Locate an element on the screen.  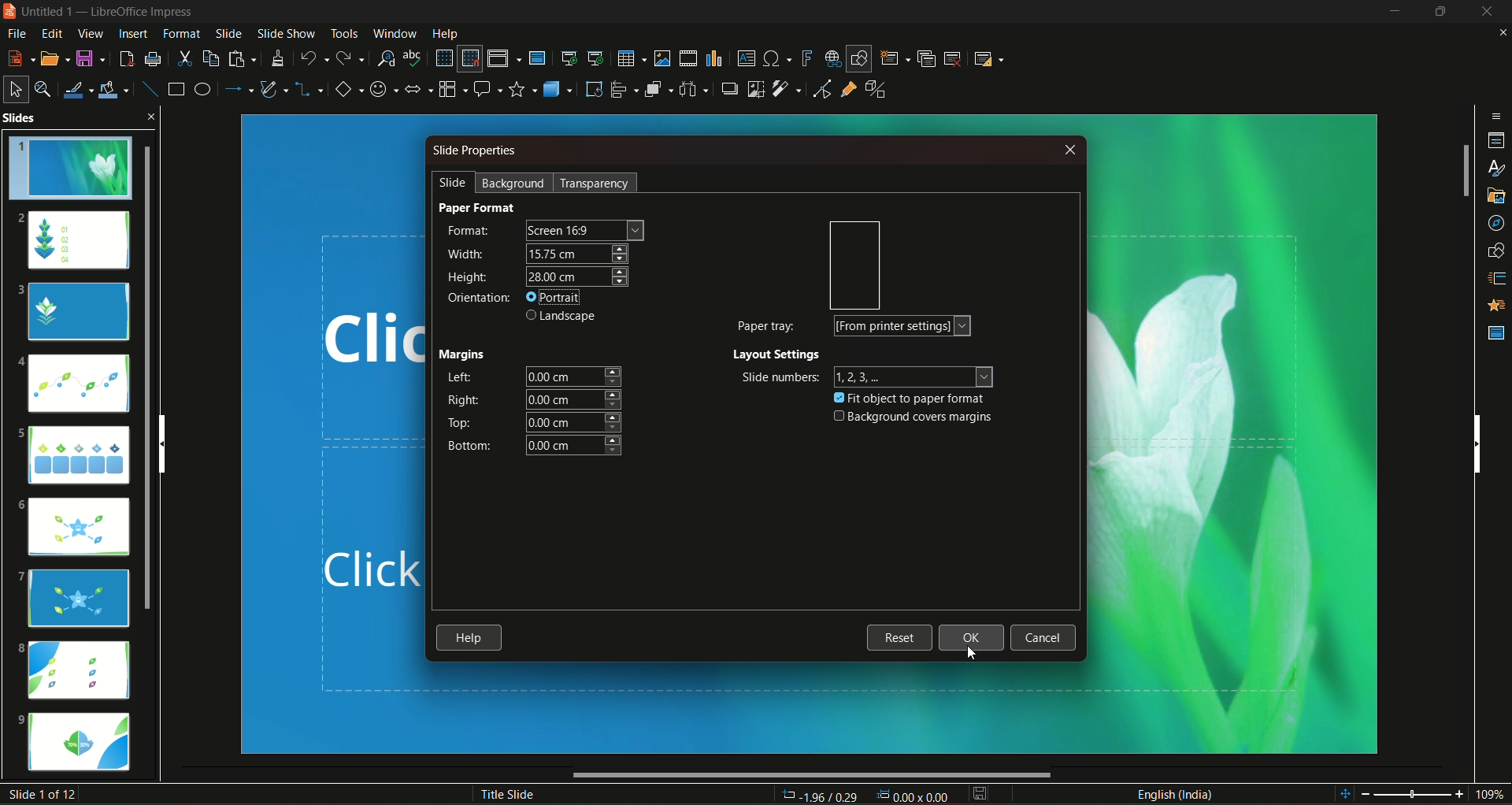
slide properties is located at coordinates (476, 153).